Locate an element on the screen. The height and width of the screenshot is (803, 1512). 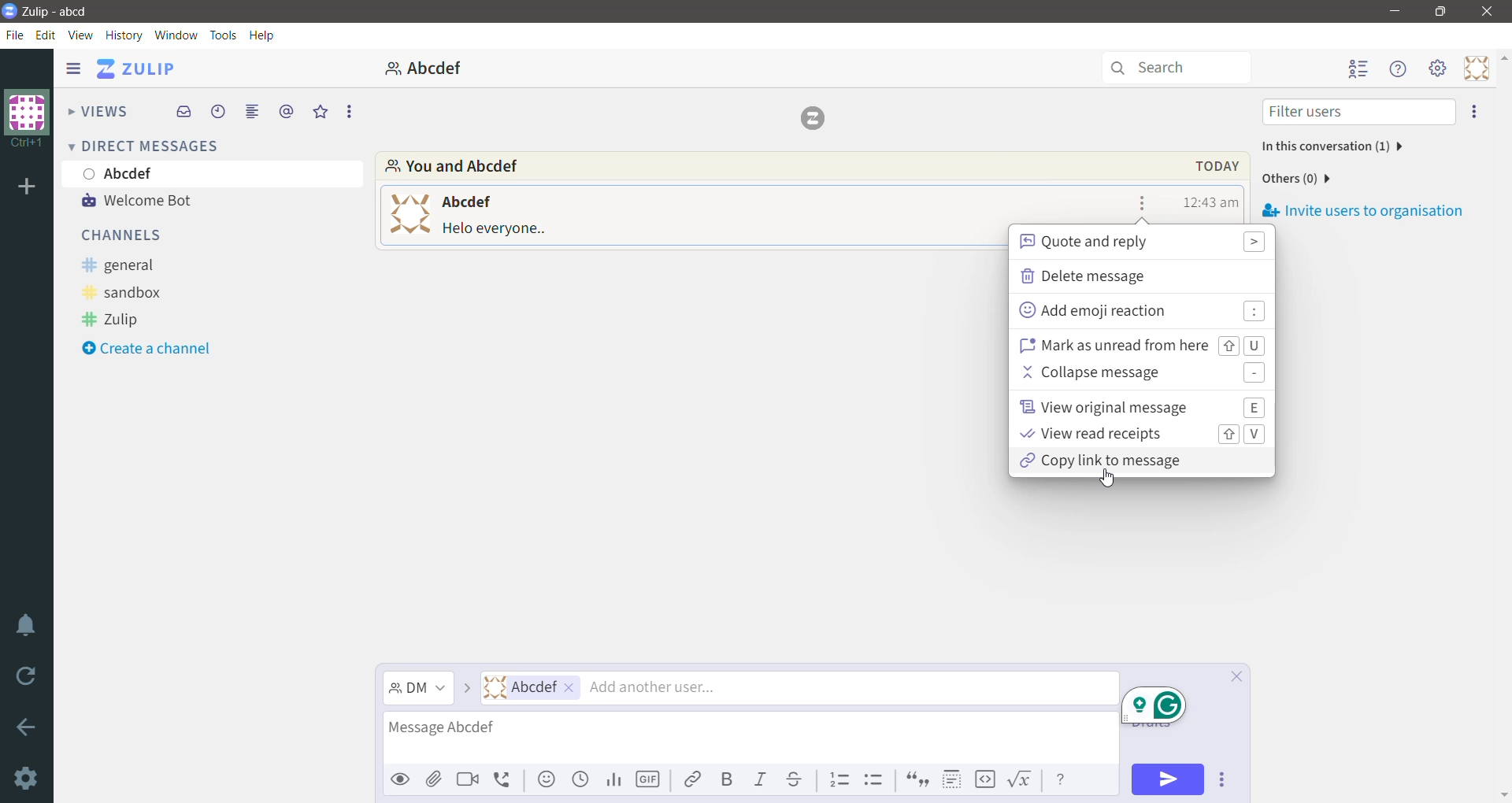
Mark as unread from here is located at coordinates (1142, 345).